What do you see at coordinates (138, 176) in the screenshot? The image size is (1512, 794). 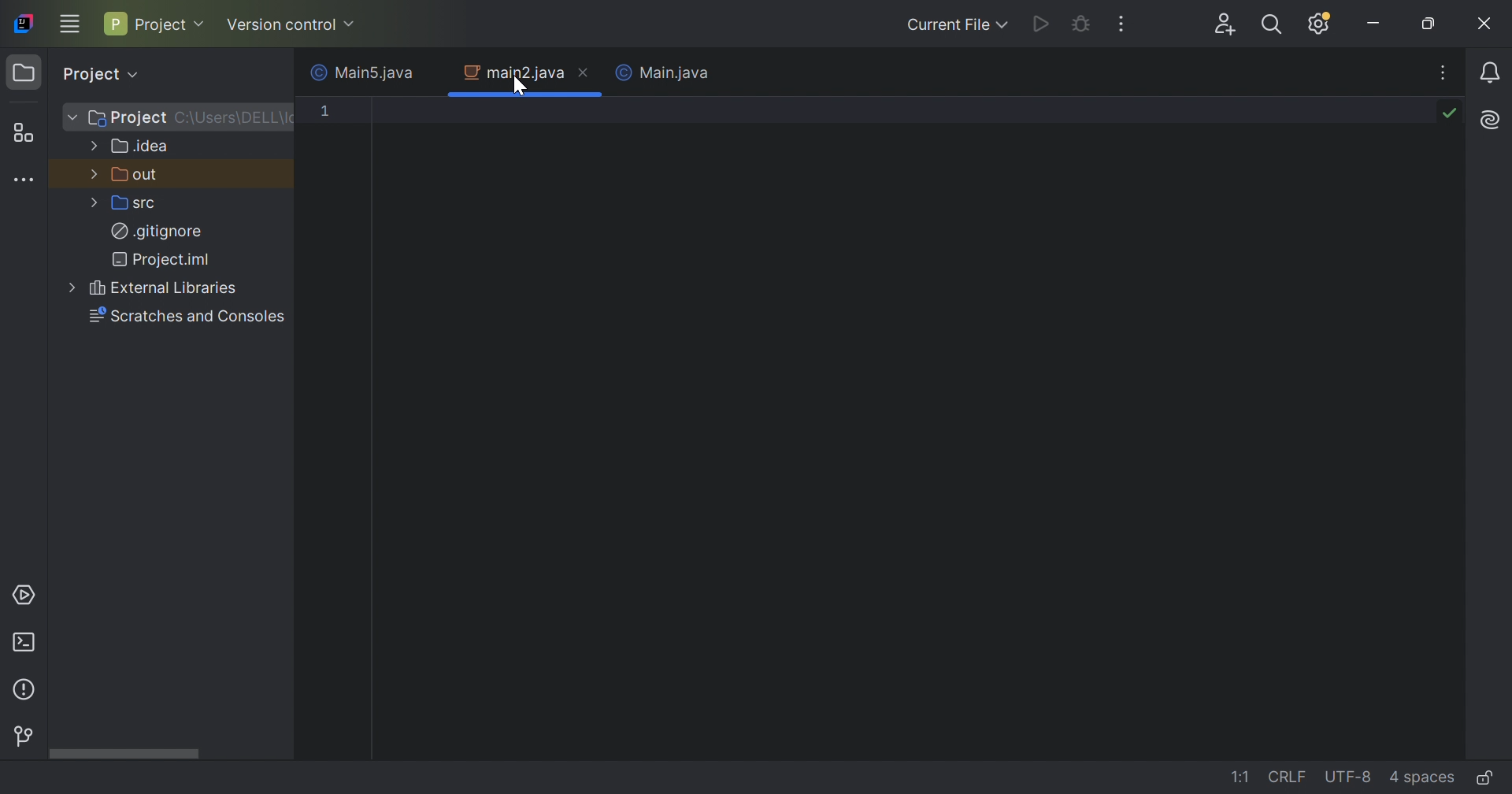 I see `out` at bounding box center [138, 176].